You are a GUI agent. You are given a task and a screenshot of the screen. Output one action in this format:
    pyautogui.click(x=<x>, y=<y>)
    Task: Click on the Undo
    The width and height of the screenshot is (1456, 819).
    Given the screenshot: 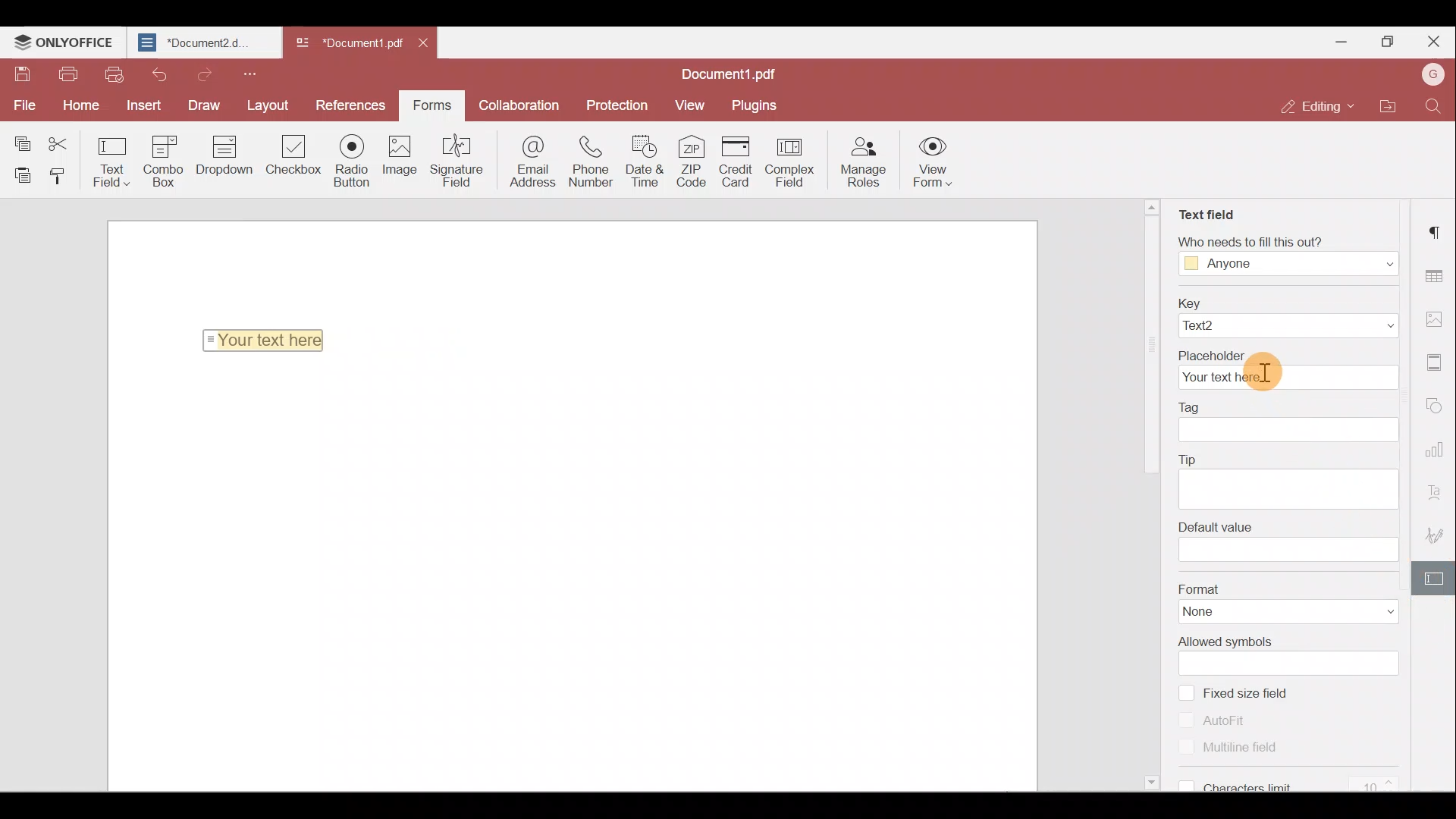 What is the action you would take?
    pyautogui.click(x=158, y=74)
    